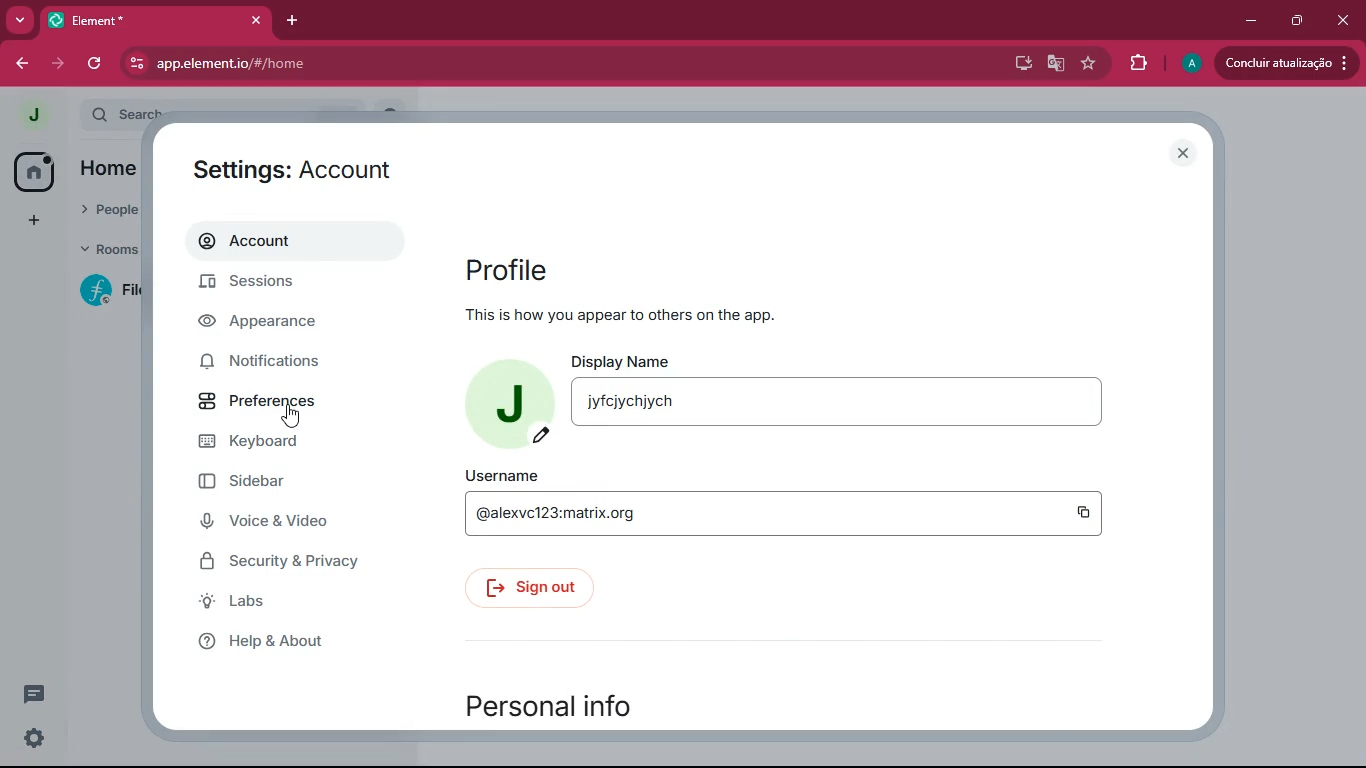  What do you see at coordinates (846, 362) in the screenshot?
I see `display name` at bounding box center [846, 362].